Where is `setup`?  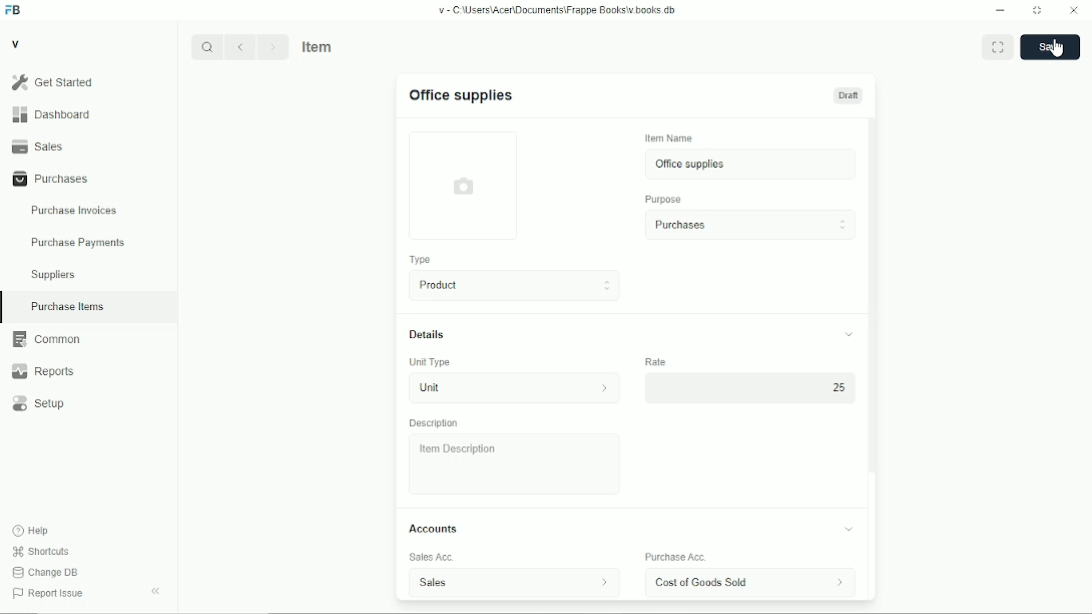
setup is located at coordinates (39, 404).